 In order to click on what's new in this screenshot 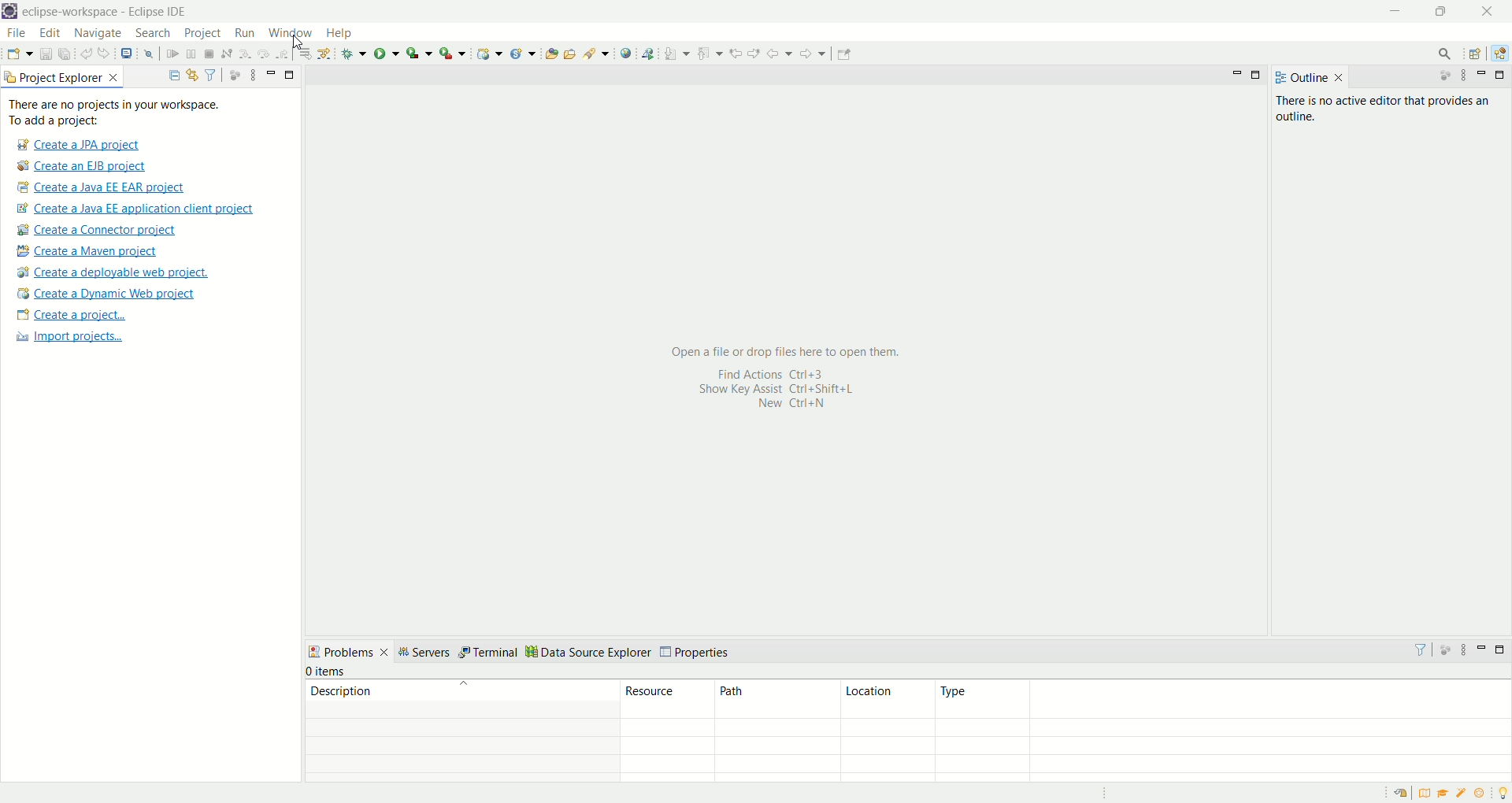, I will do `click(1484, 794)`.